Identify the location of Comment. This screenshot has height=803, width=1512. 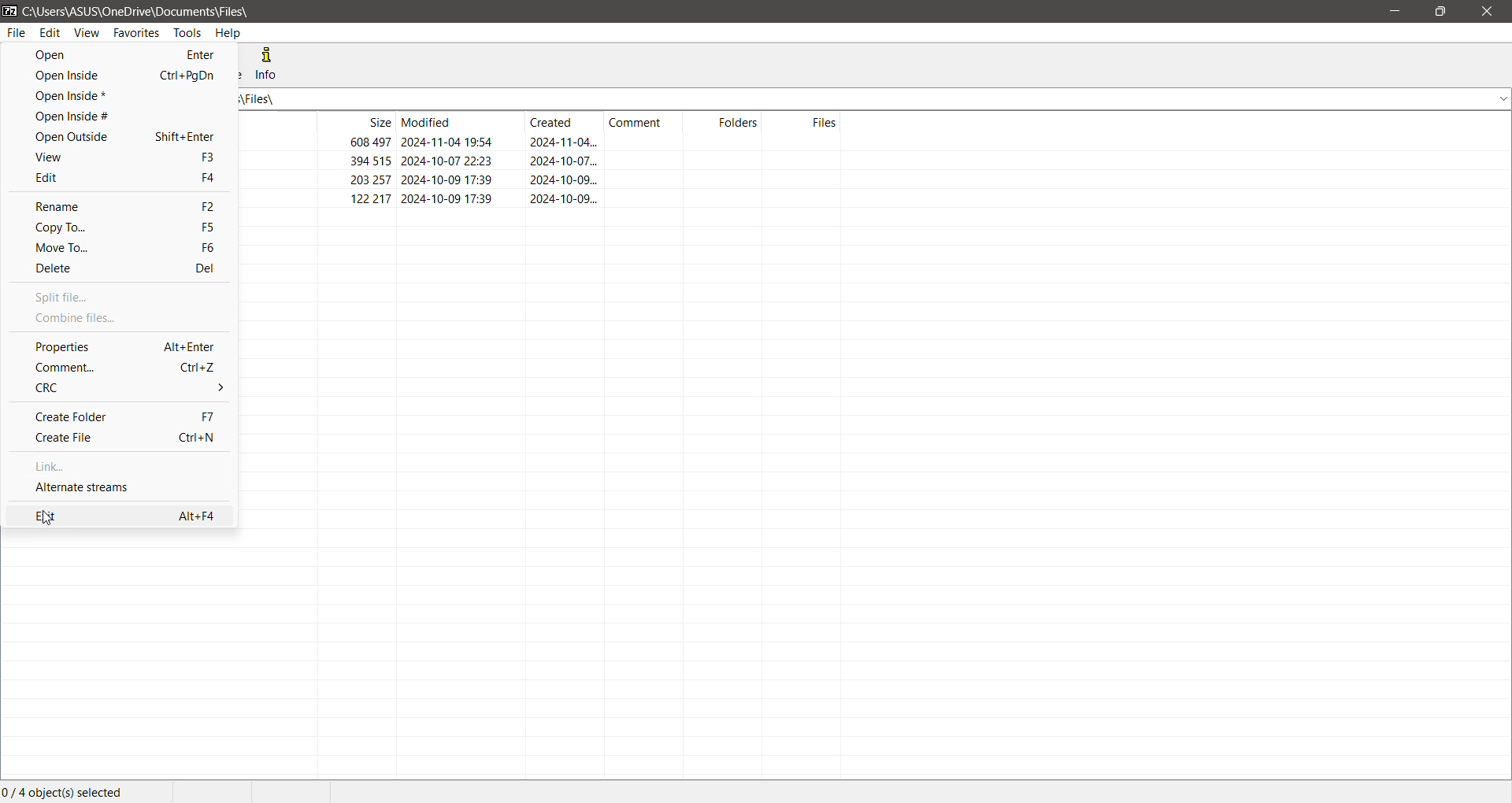
(128, 367).